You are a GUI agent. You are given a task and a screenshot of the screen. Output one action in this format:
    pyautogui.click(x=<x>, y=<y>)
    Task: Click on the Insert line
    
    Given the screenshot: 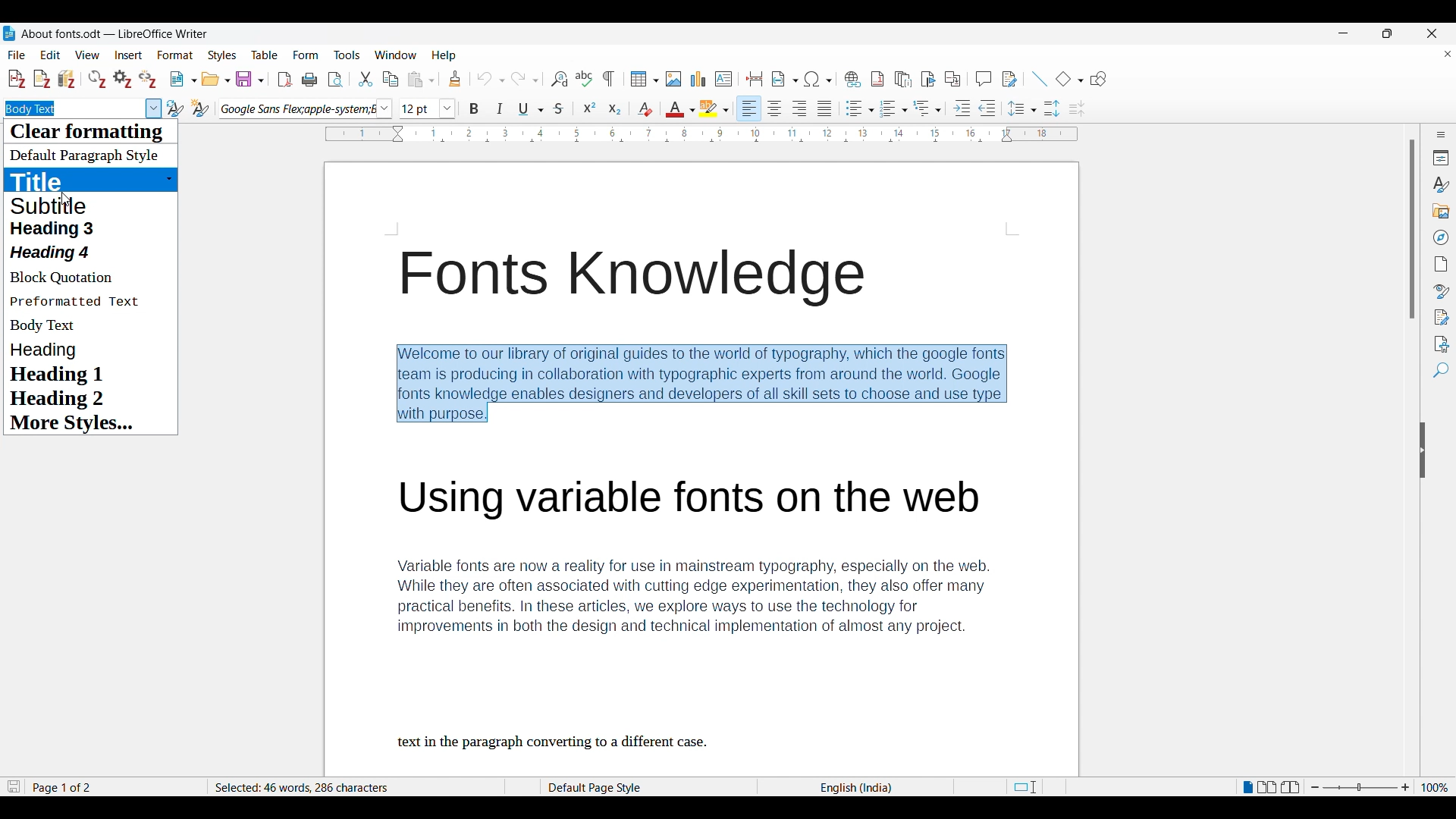 What is the action you would take?
    pyautogui.click(x=1040, y=79)
    